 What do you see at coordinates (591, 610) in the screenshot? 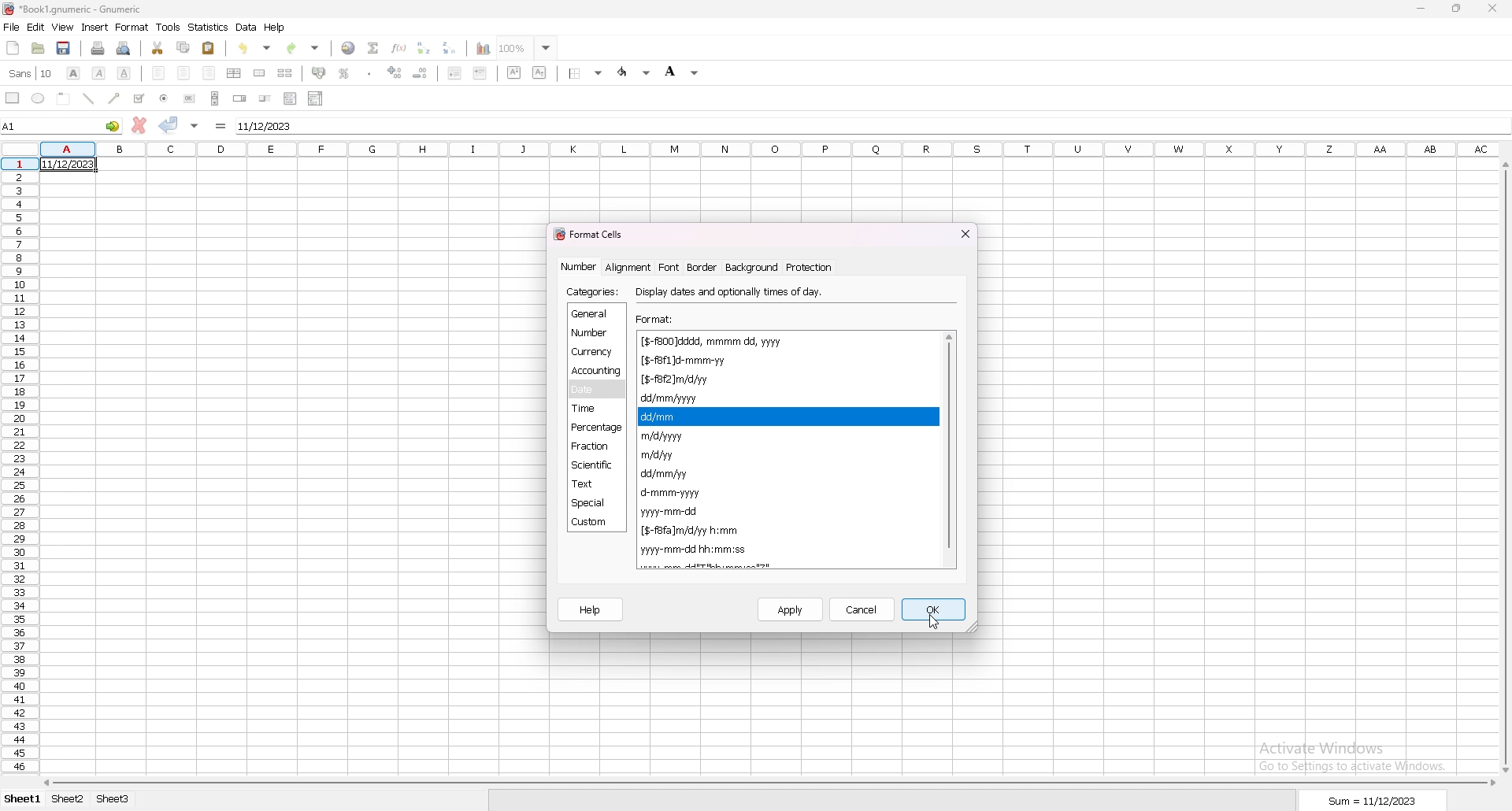
I see `help` at bounding box center [591, 610].